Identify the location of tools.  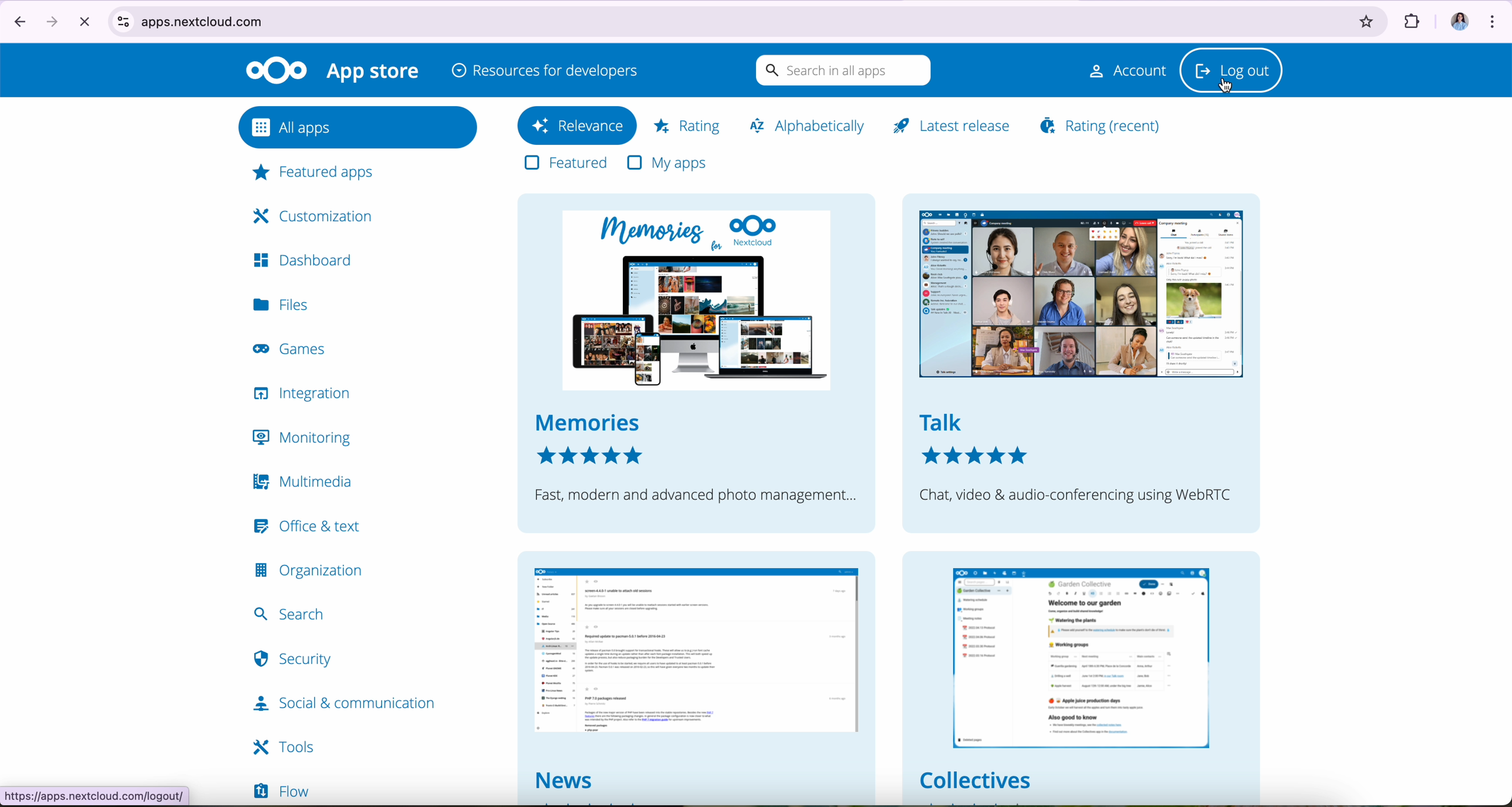
(283, 747).